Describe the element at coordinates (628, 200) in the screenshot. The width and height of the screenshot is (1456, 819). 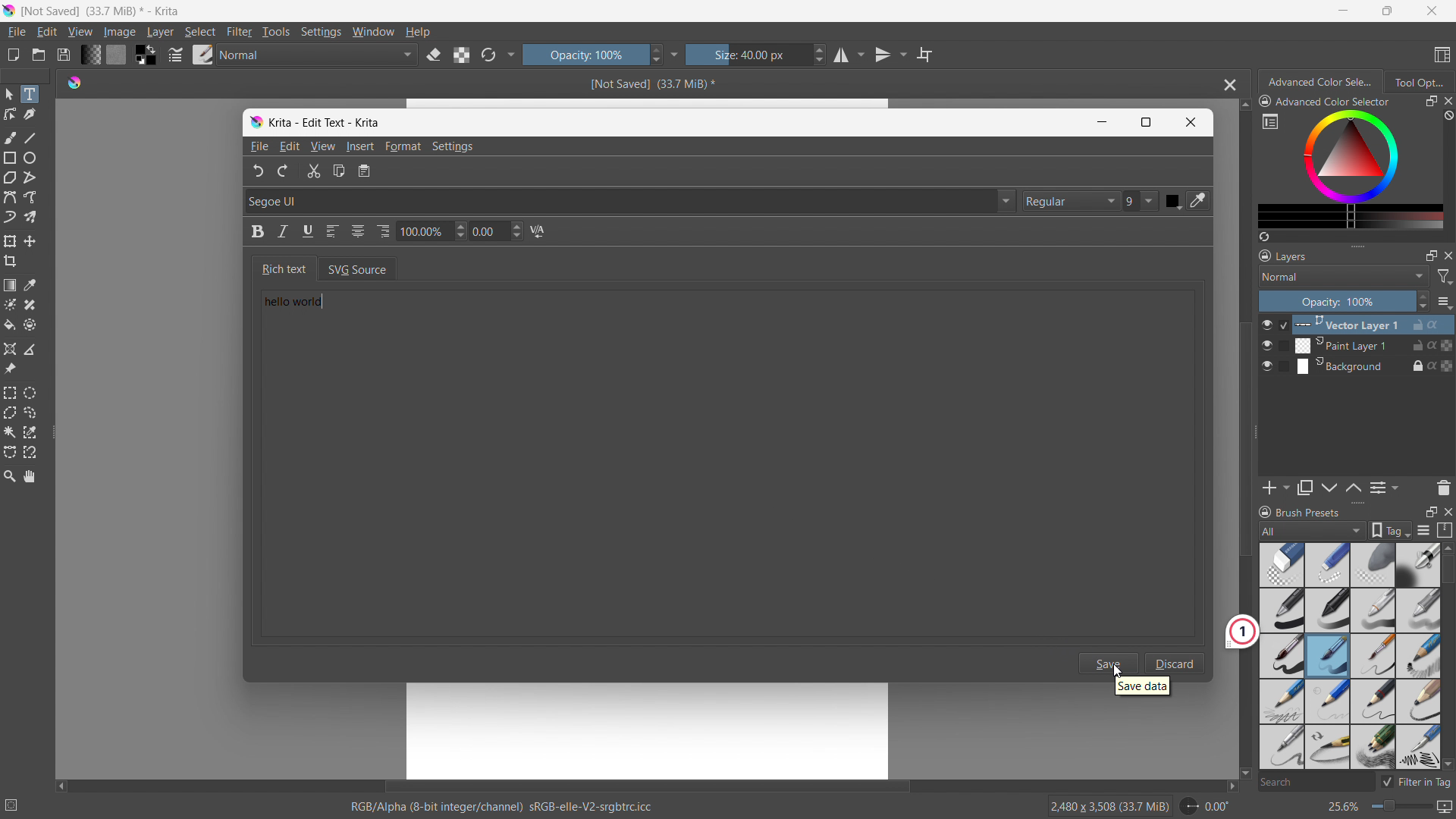
I see `Segoe UI` at that location.